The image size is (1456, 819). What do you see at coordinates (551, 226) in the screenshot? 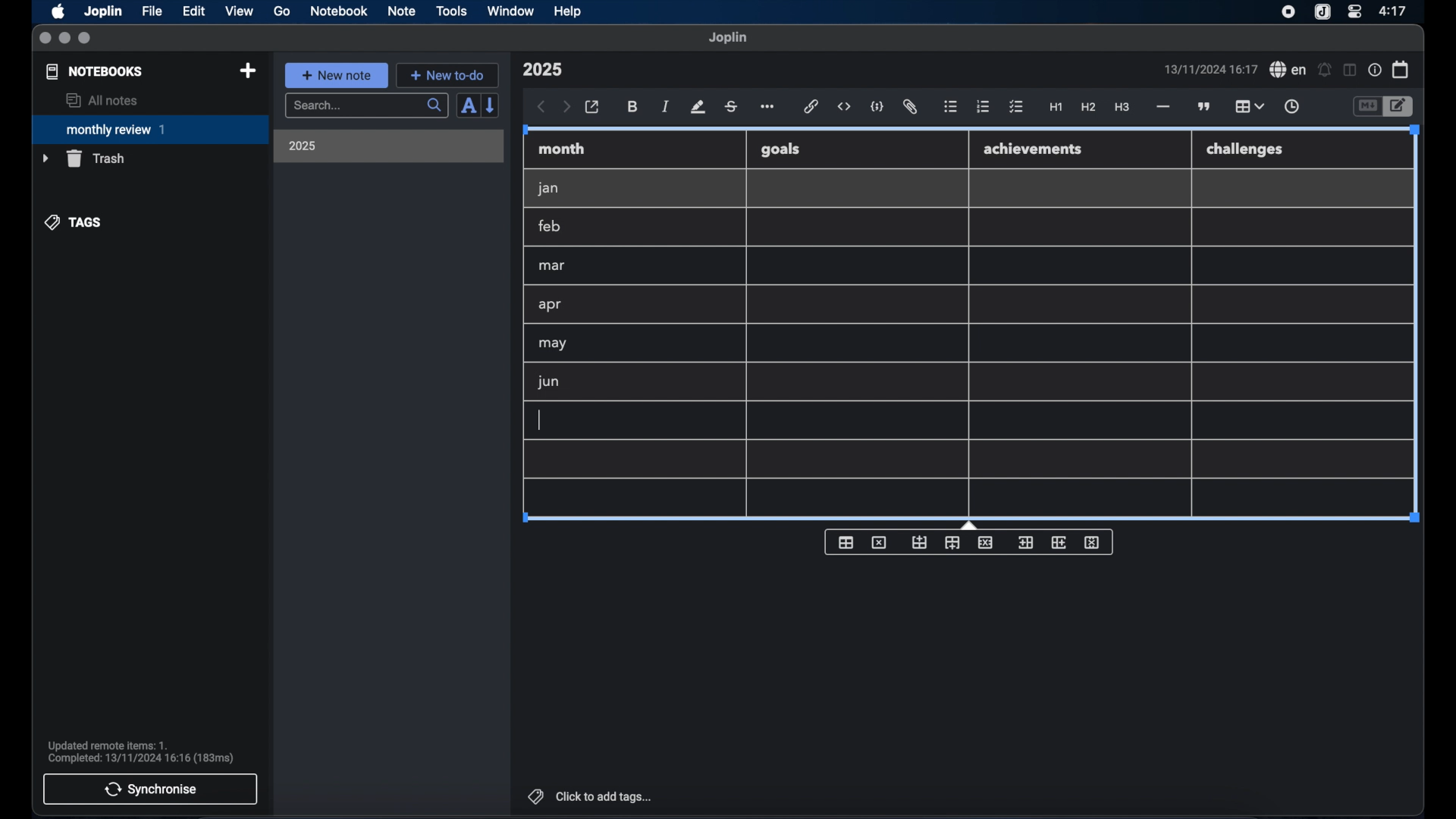
I see `feb` at bounding box center [551, 226].